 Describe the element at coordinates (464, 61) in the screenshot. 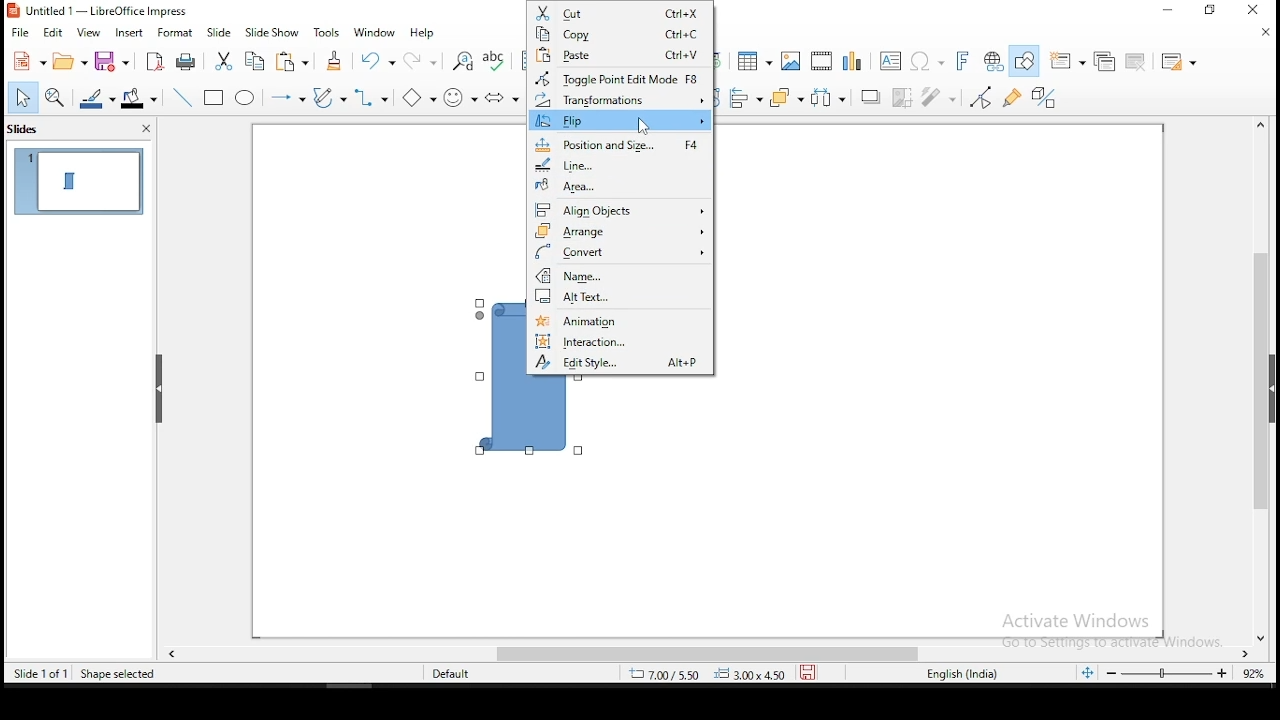

I see `find and replace` at that location.